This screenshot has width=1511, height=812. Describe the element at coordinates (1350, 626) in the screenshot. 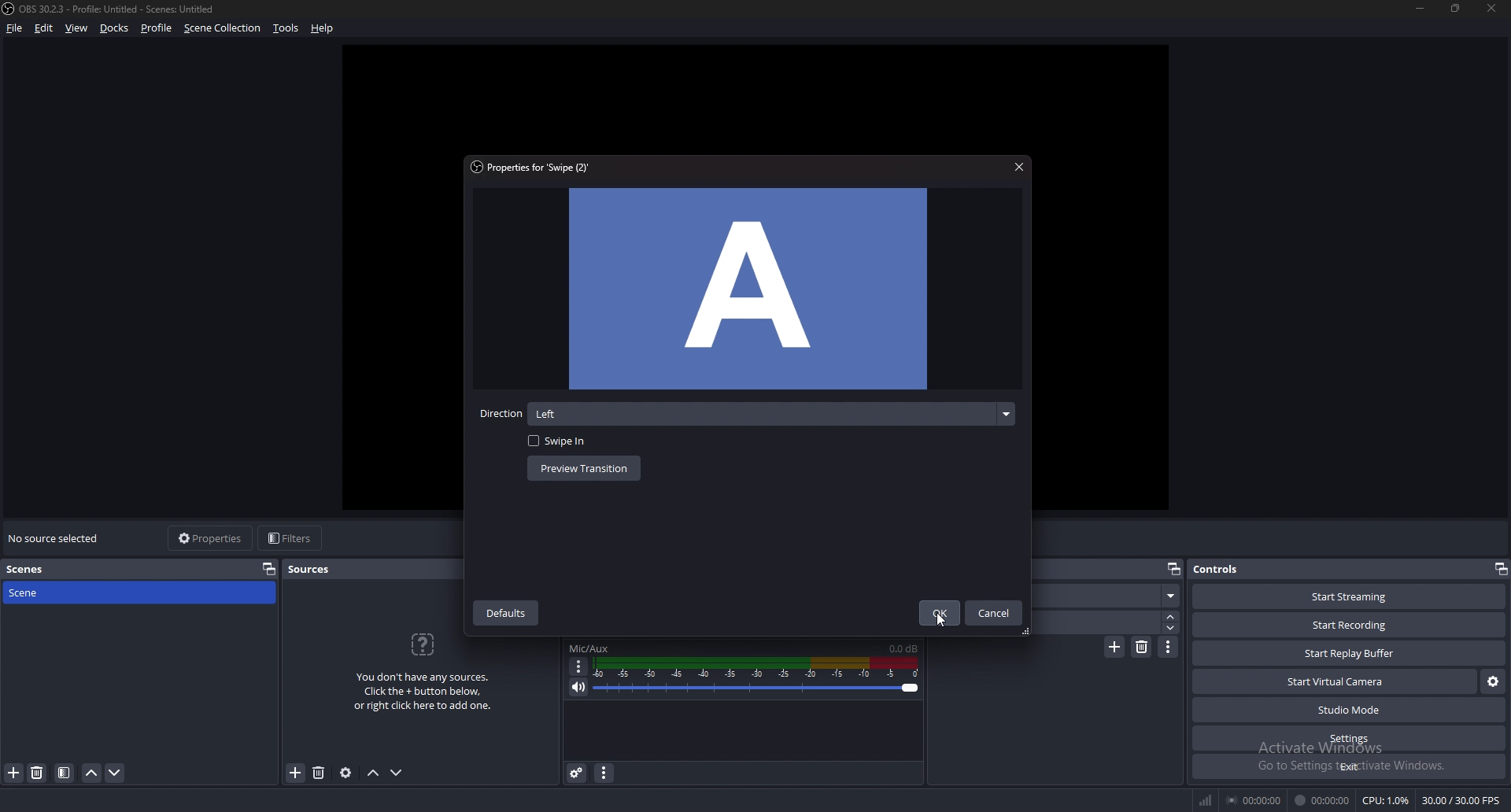

I see `start recording` at that location.